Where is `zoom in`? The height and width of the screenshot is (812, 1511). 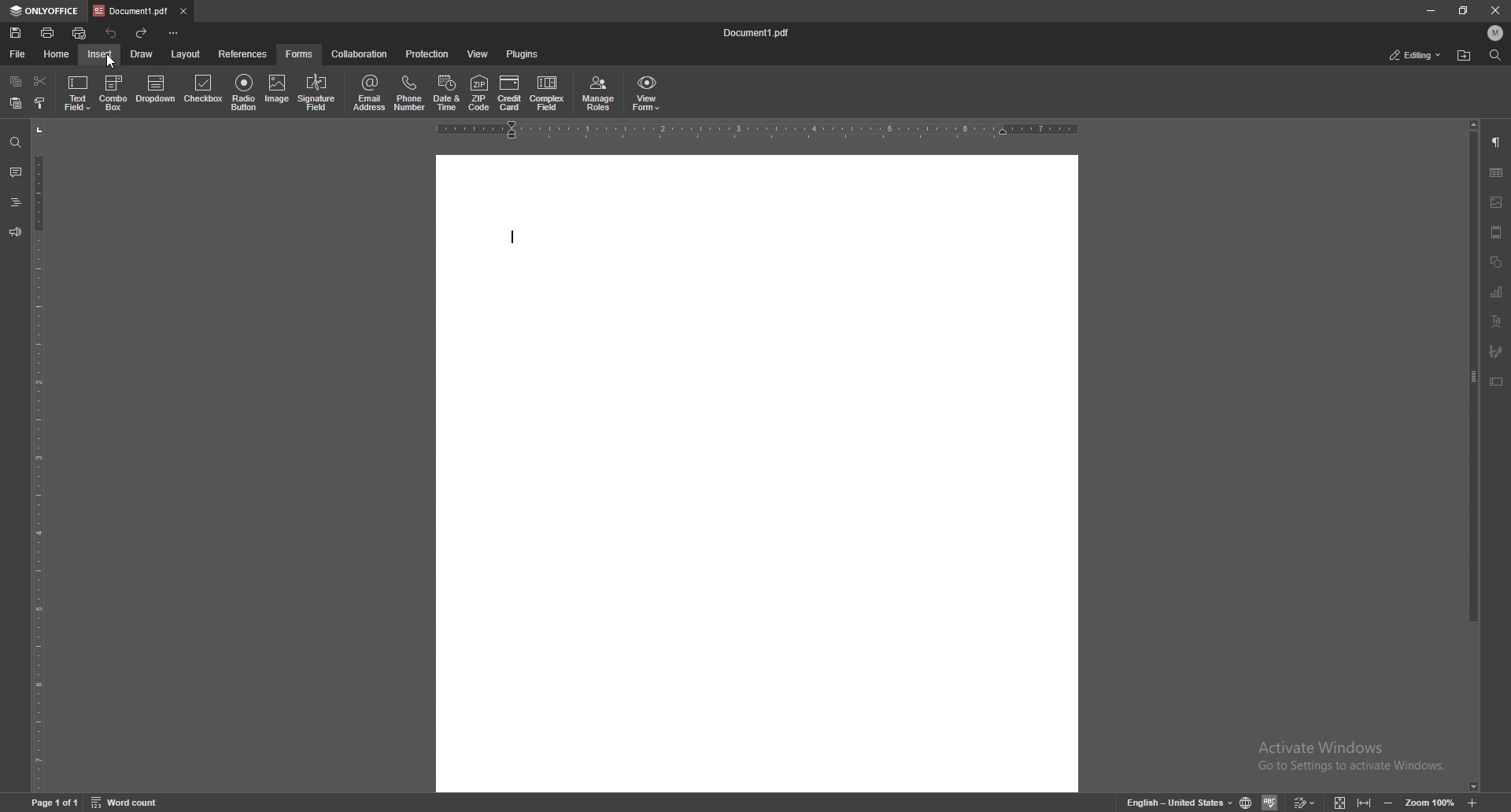 zoom in is located at coordinates (1475, 803).